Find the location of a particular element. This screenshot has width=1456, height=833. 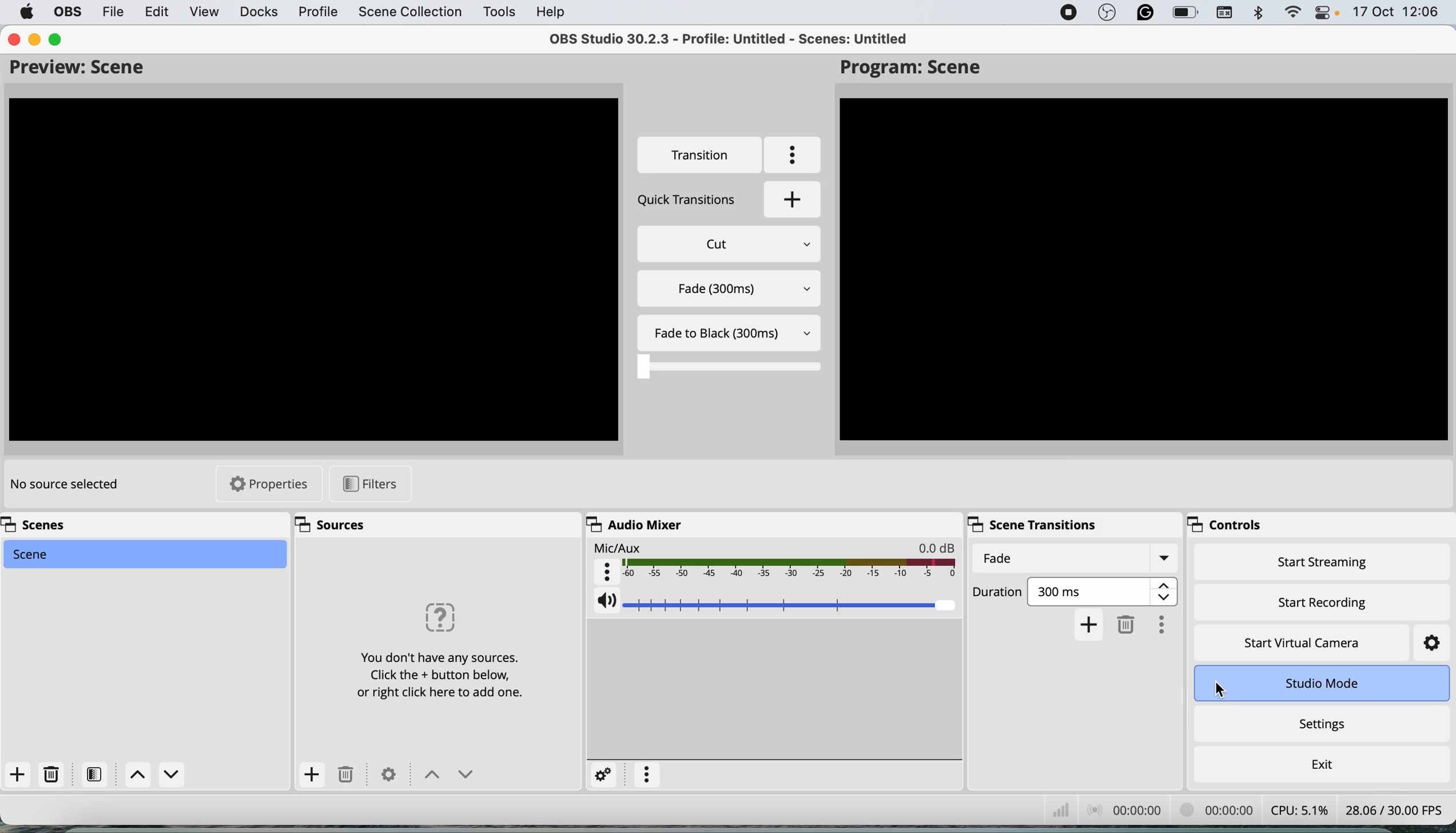

more settings is located at coordinates (649, 775).